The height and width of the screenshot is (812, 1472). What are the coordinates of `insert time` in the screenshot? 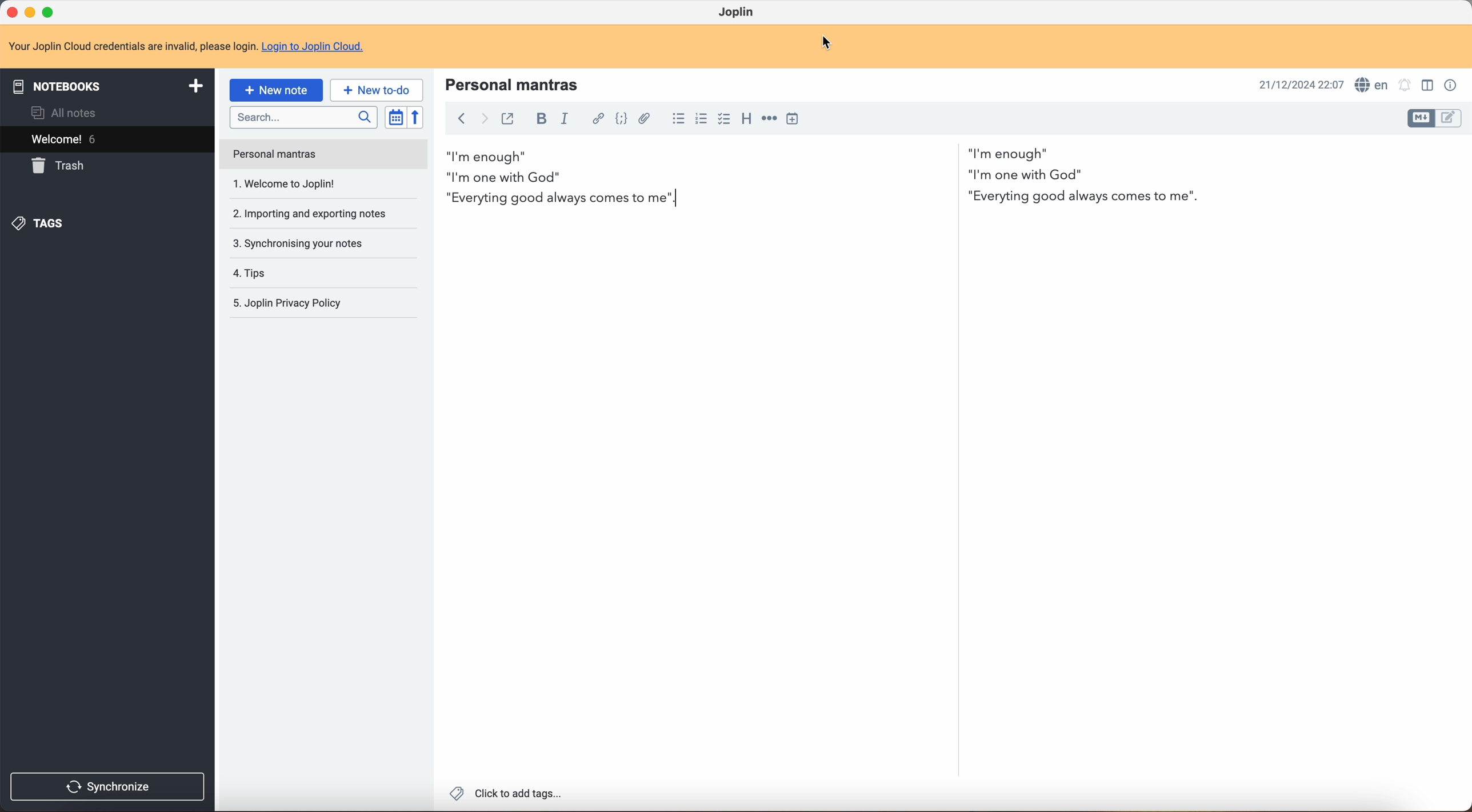 It's located at (792, 118).